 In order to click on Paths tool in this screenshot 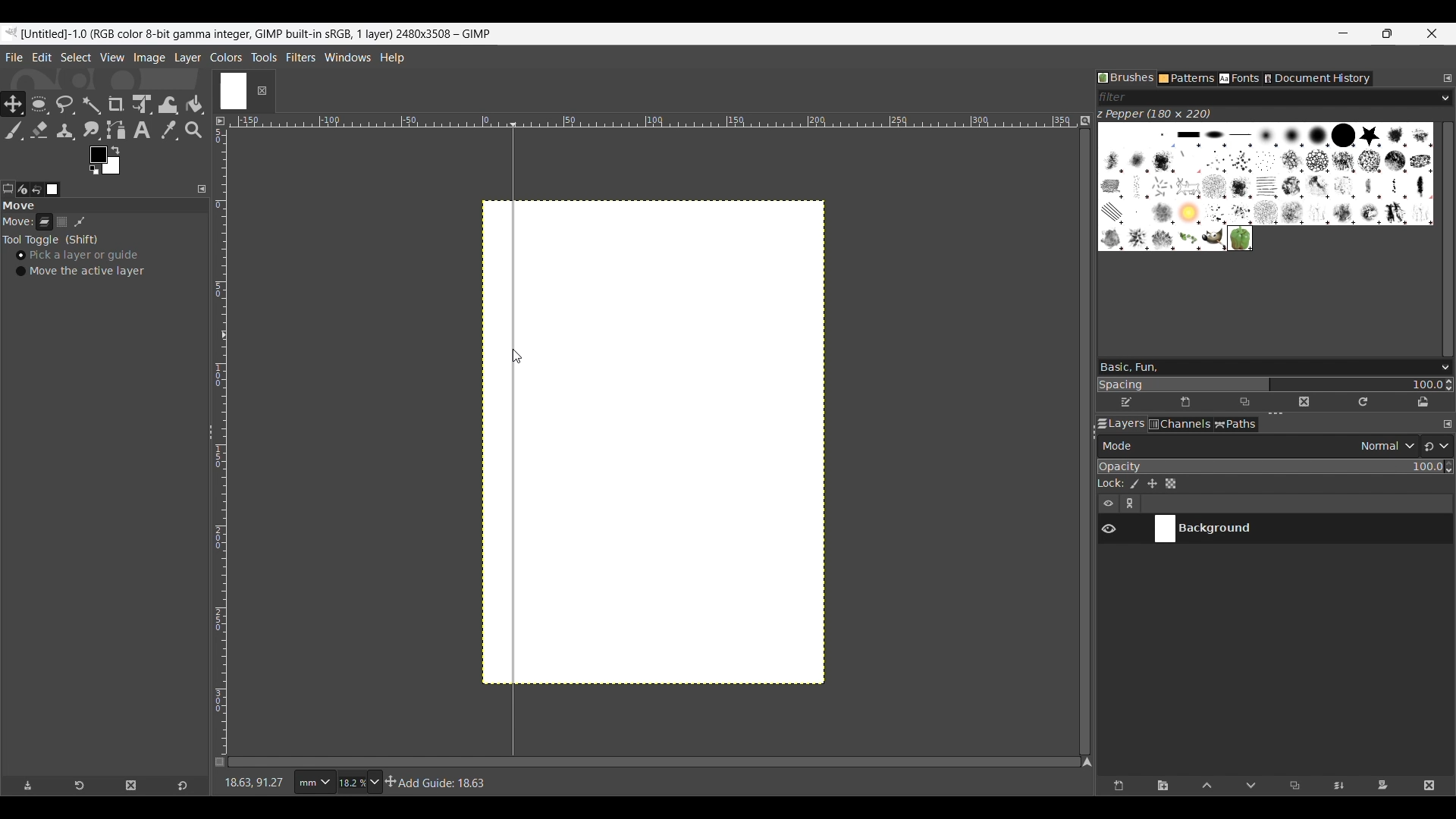, I will do `click(117, 130)`.